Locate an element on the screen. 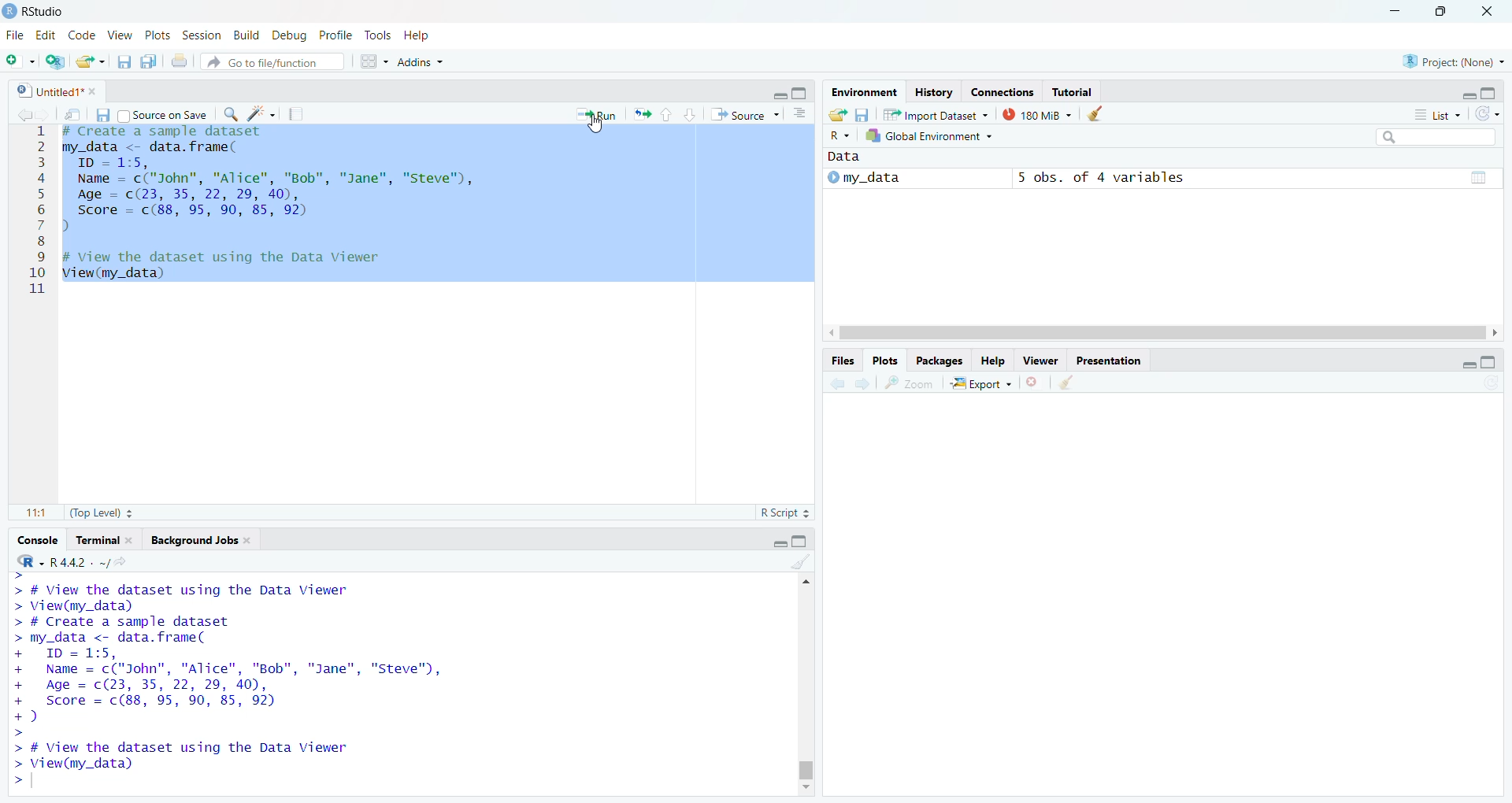 The image size is (1512, 803). Plots is located at coordinates (889, 361).